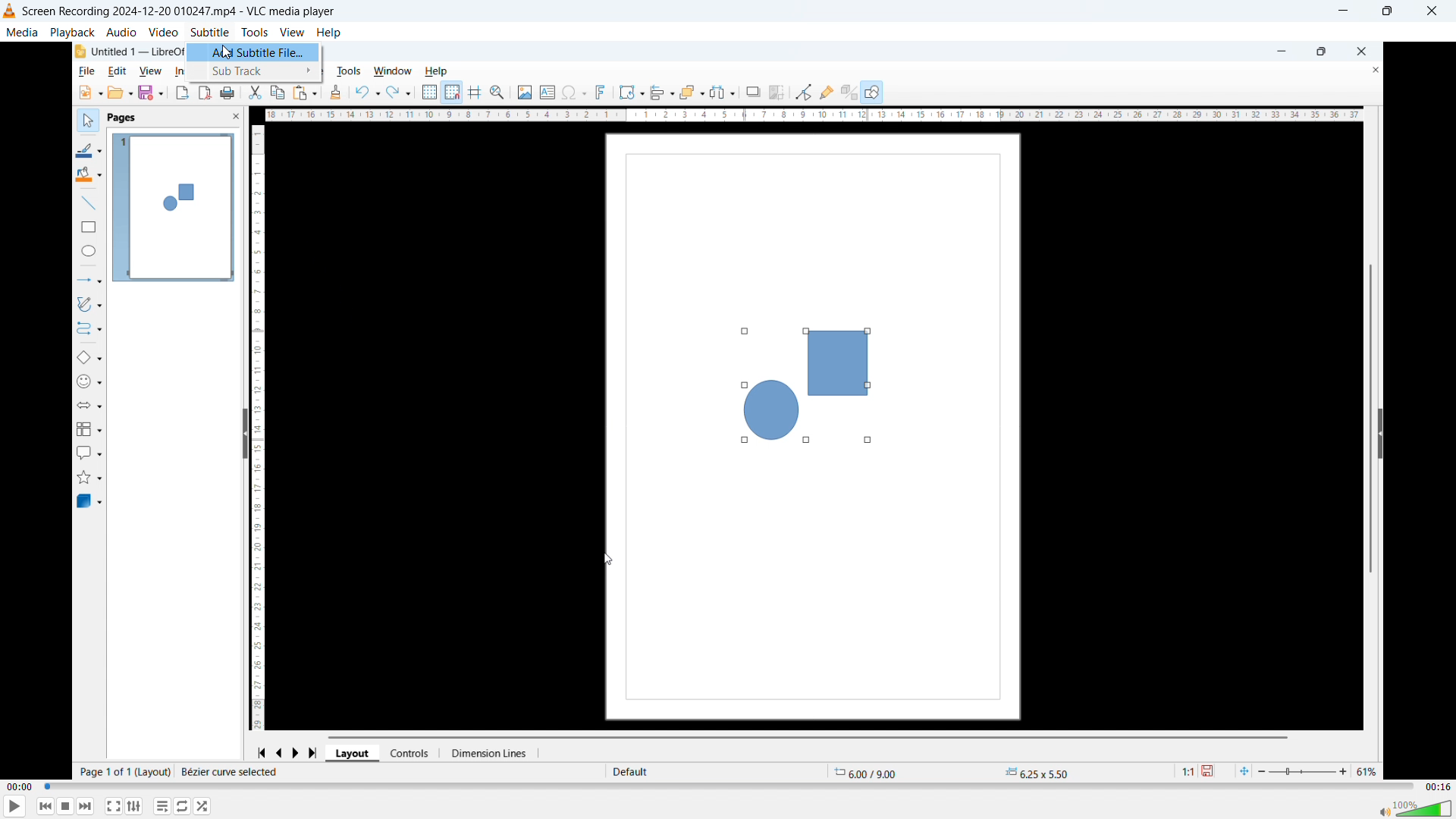 The width and height of the screenshot is (1456, 819). What do you see at coordinates (92, 476) in the screenshot?
I see `star and banner` at bounding box center [92, 476].